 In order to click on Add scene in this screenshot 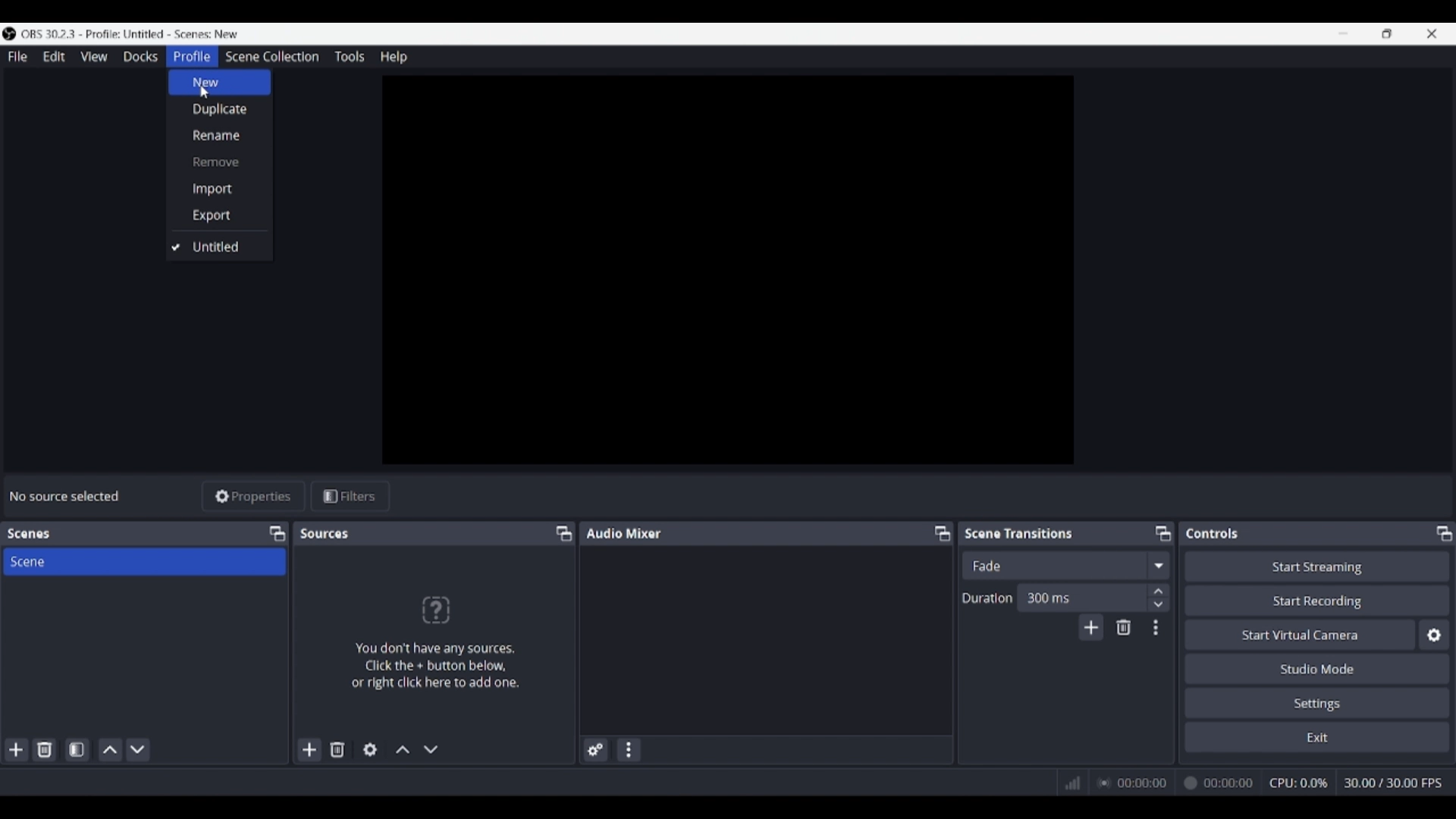, I will do `click(17, 750)`.